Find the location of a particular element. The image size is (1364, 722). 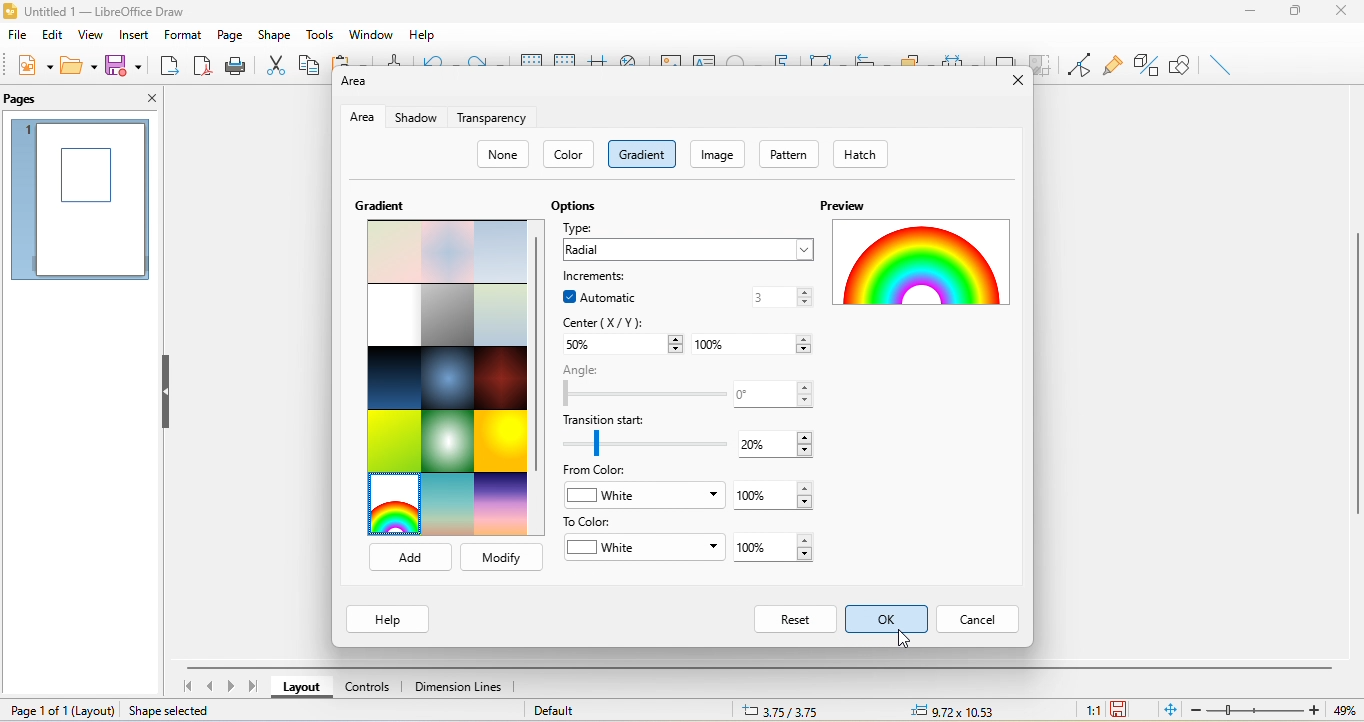

sunrise is located at coordinates (449, 508).